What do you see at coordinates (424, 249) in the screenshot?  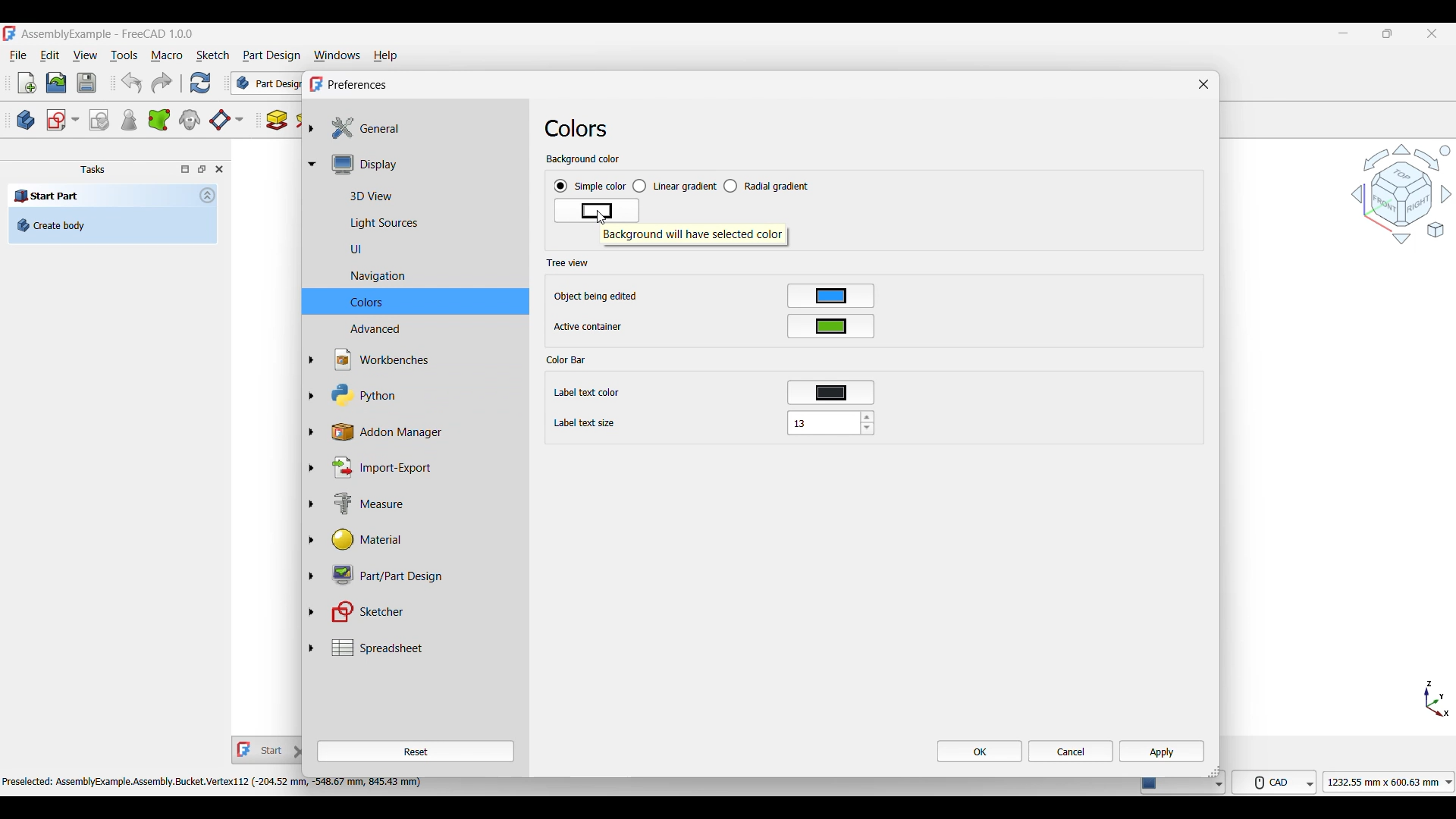 I see `UI` at bounding box center [424, 249].